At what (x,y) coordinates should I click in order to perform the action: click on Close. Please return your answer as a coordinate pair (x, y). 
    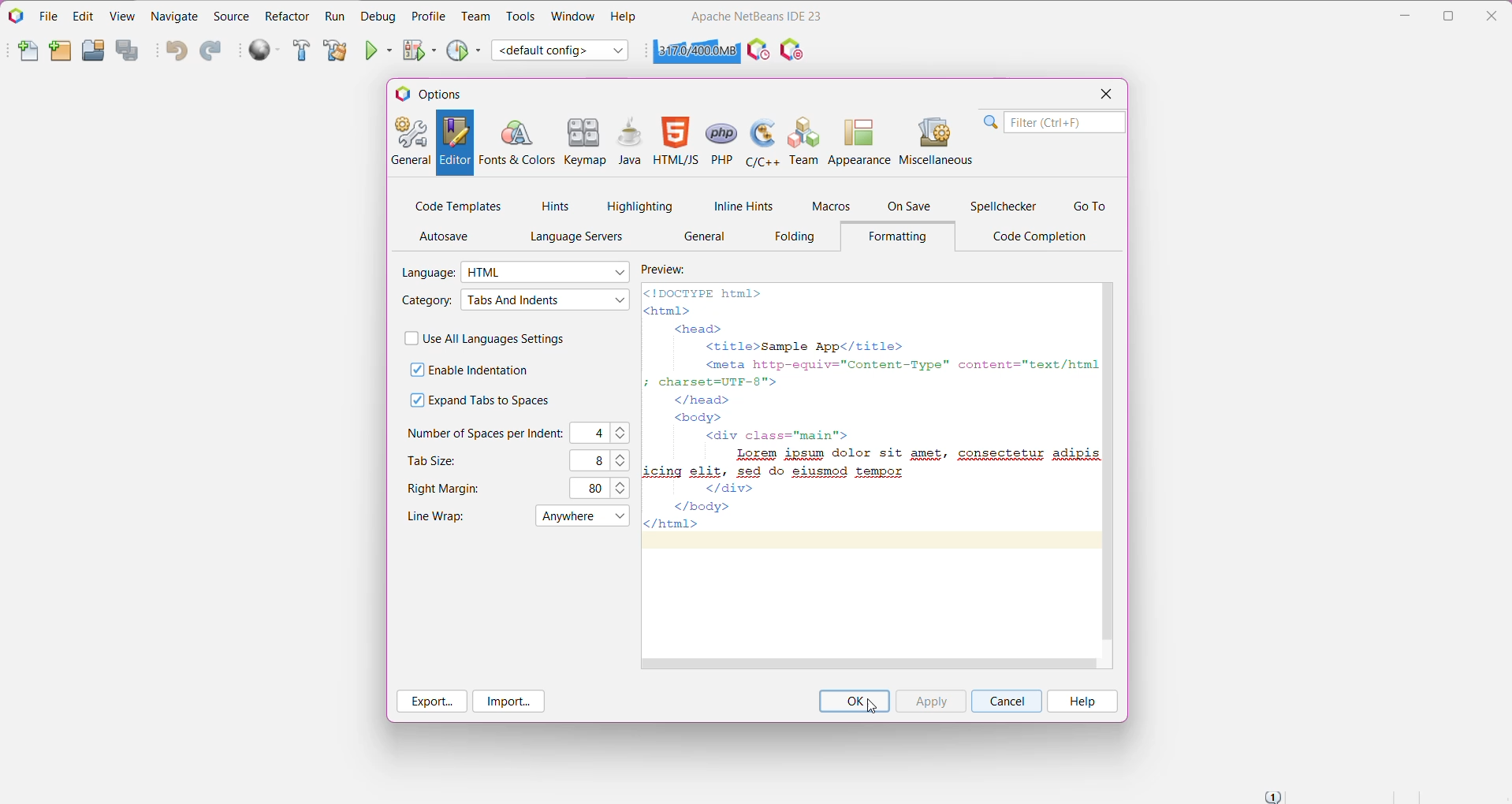
    Looking at the image, I should click on (1104, 94).